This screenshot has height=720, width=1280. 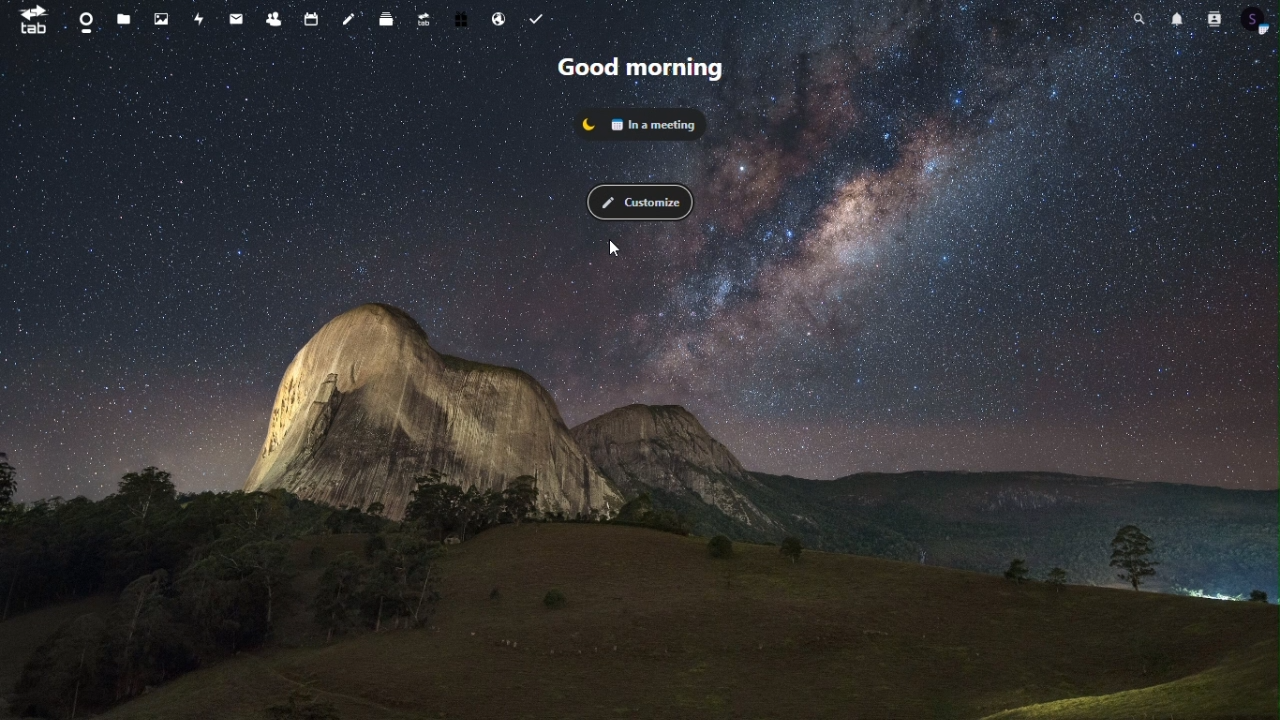 What do you see at coordinates (1258, 18) in the screenshot?
I see `account` at bounding box center [1258, 18].